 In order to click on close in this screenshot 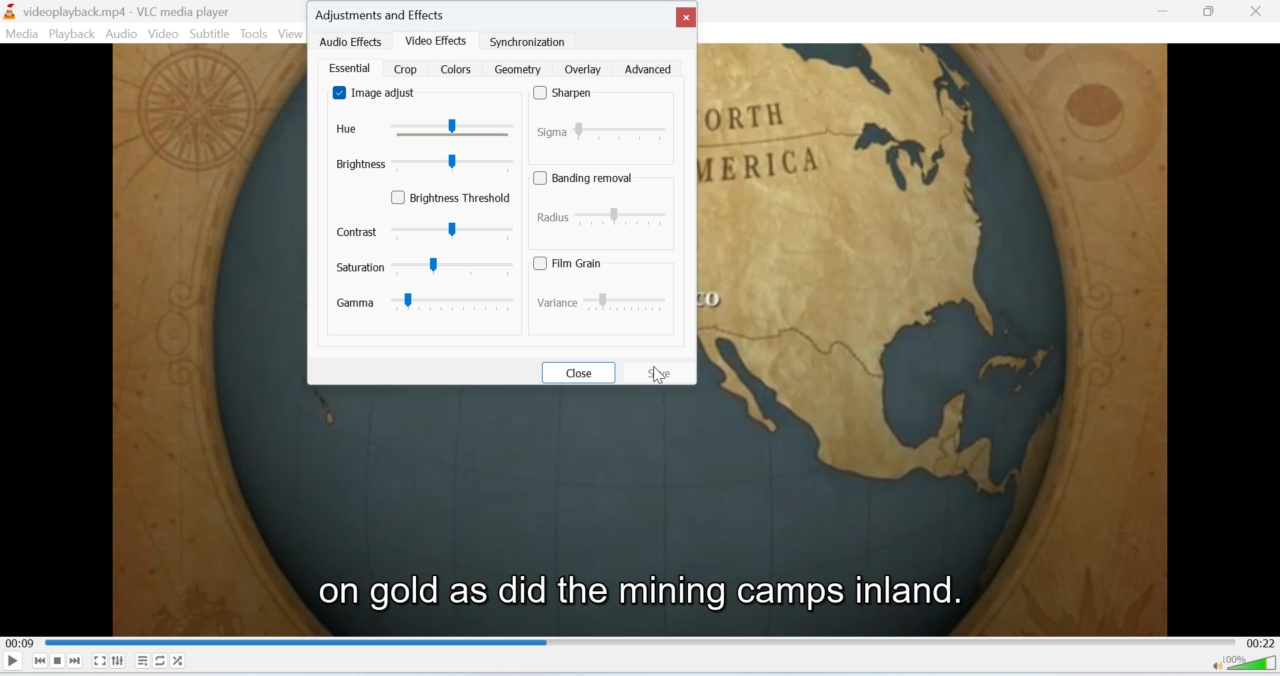, I will do `click(578, 371)`.